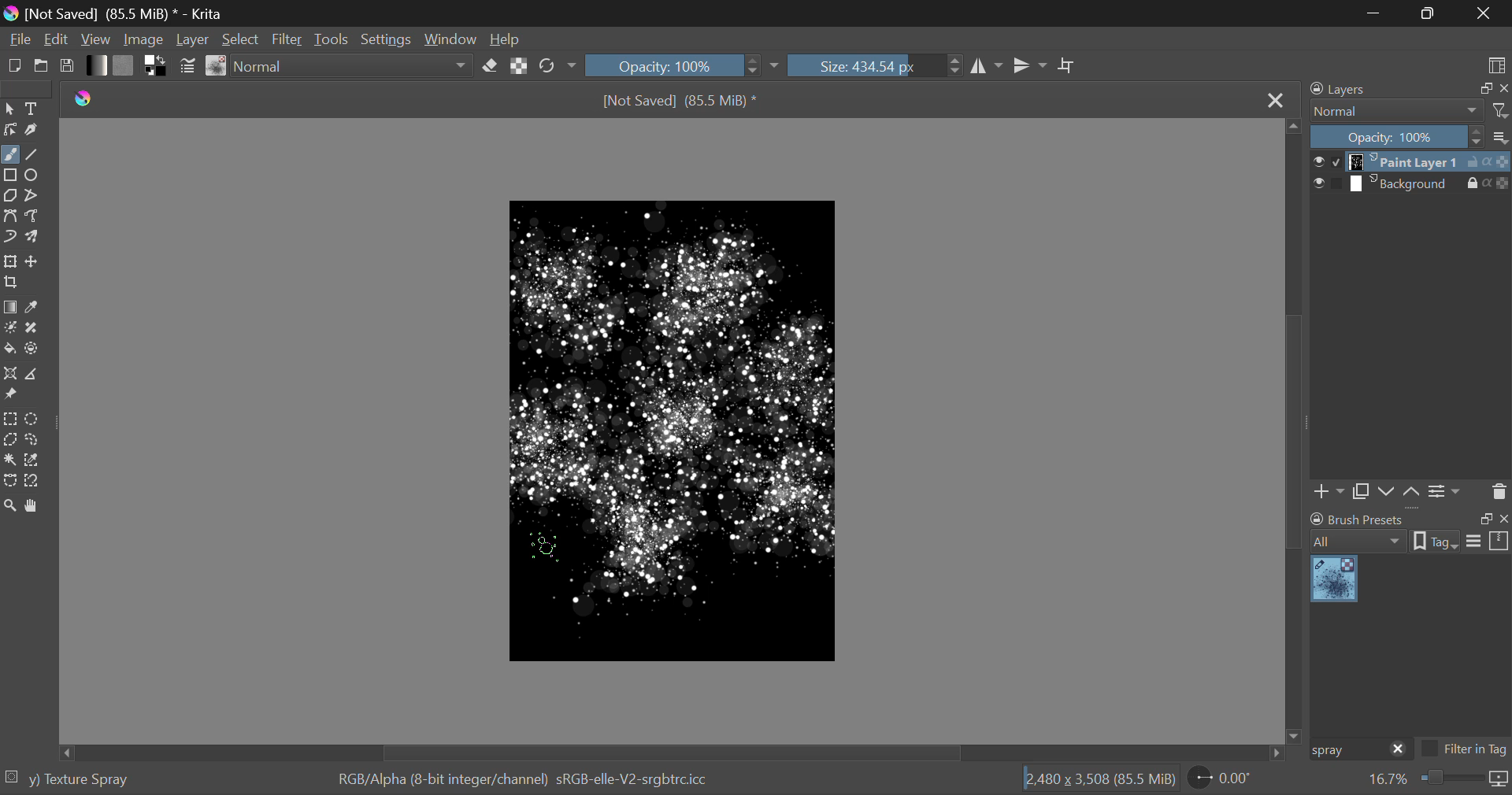 The image size is (1512, 795). What do you see at coordinates (32, 350) in the screenshot?
I see `Enclose and Fill` at bounding box center [32, 350].